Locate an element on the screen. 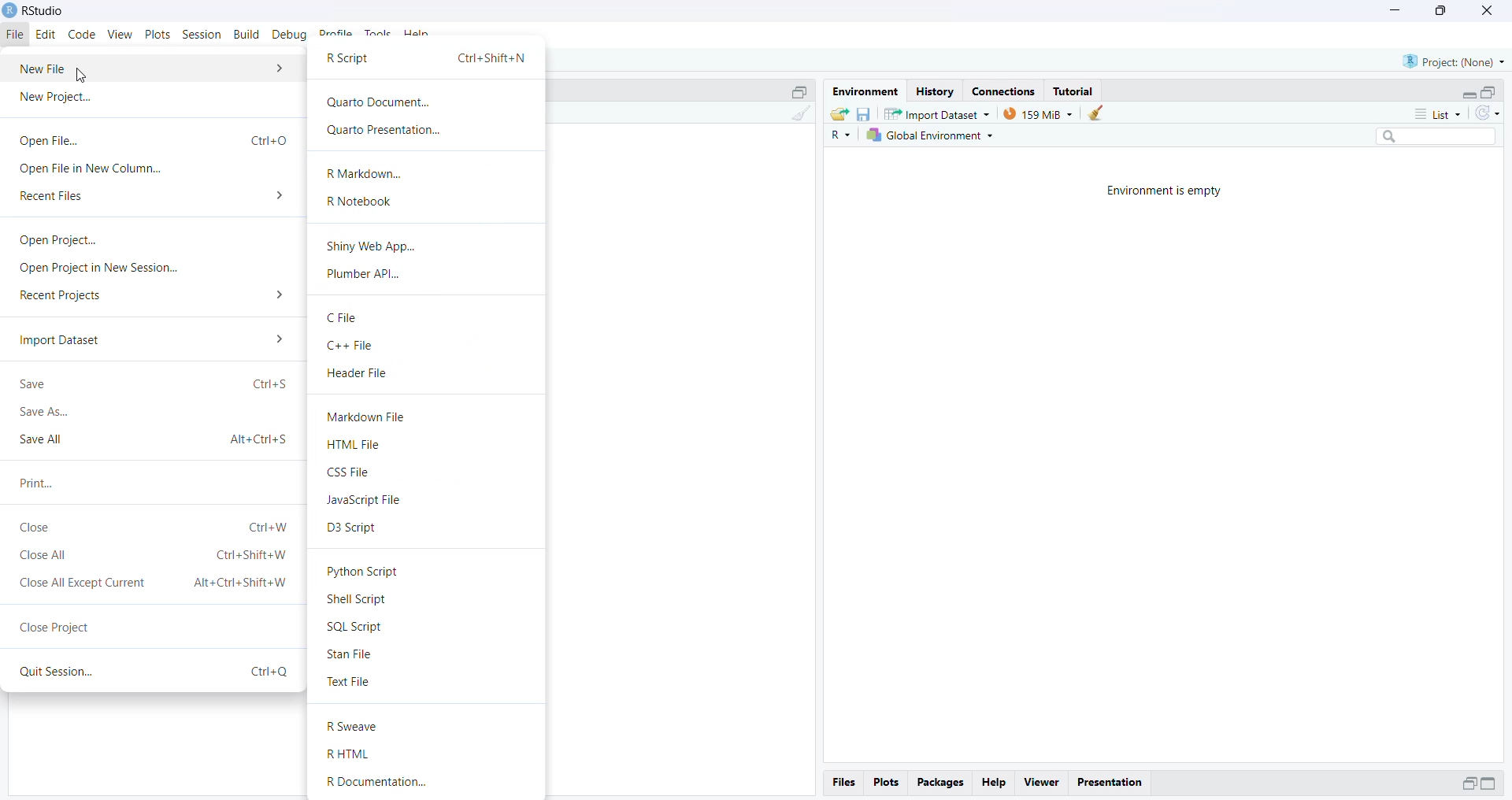 The height and width of the screenshot is (800, 1512). plots is located at coordinates (885, 783).